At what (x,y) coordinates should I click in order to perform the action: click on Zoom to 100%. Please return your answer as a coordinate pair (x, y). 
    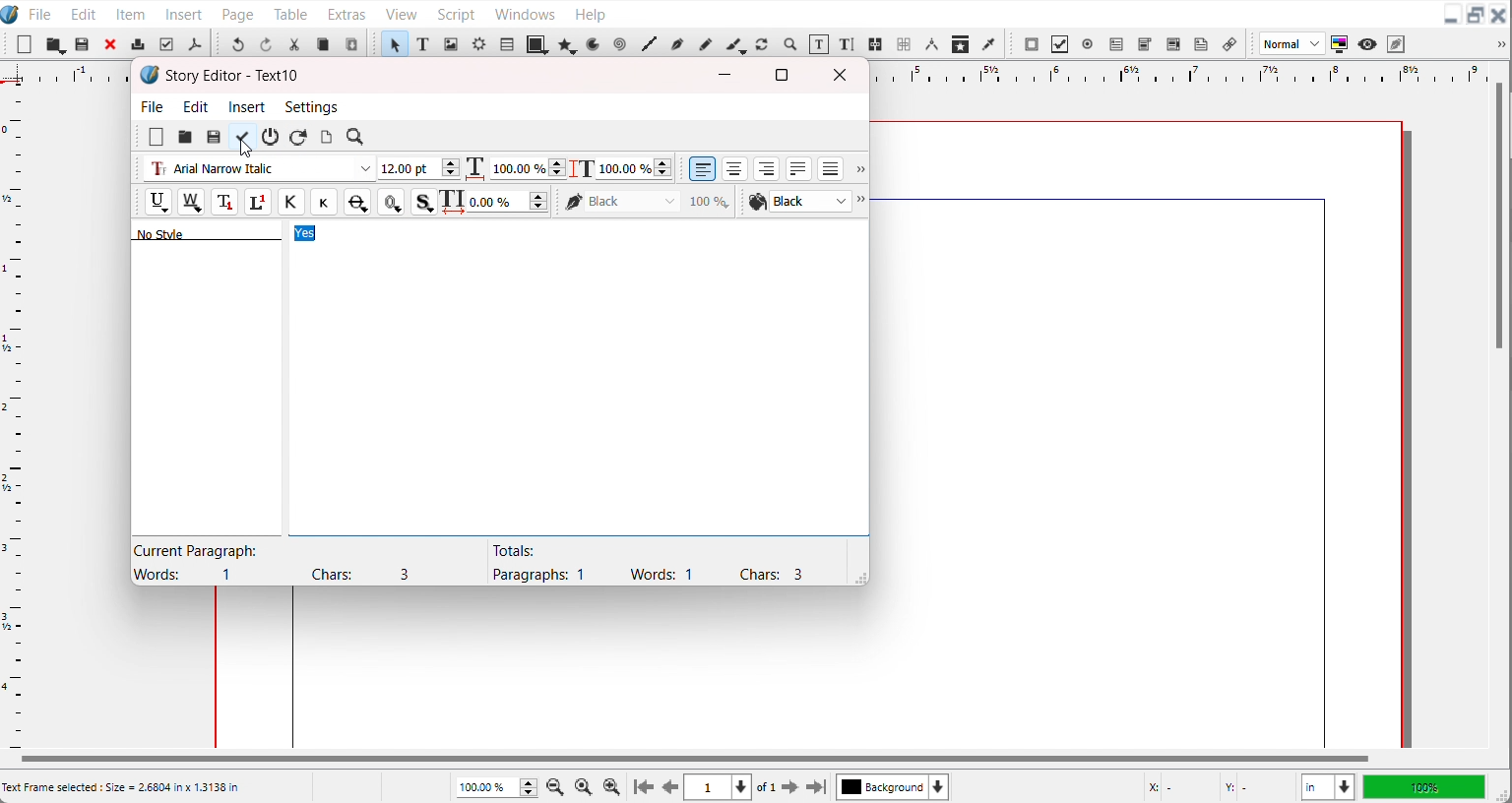
    Looking at the image, I should click on (585, 785).